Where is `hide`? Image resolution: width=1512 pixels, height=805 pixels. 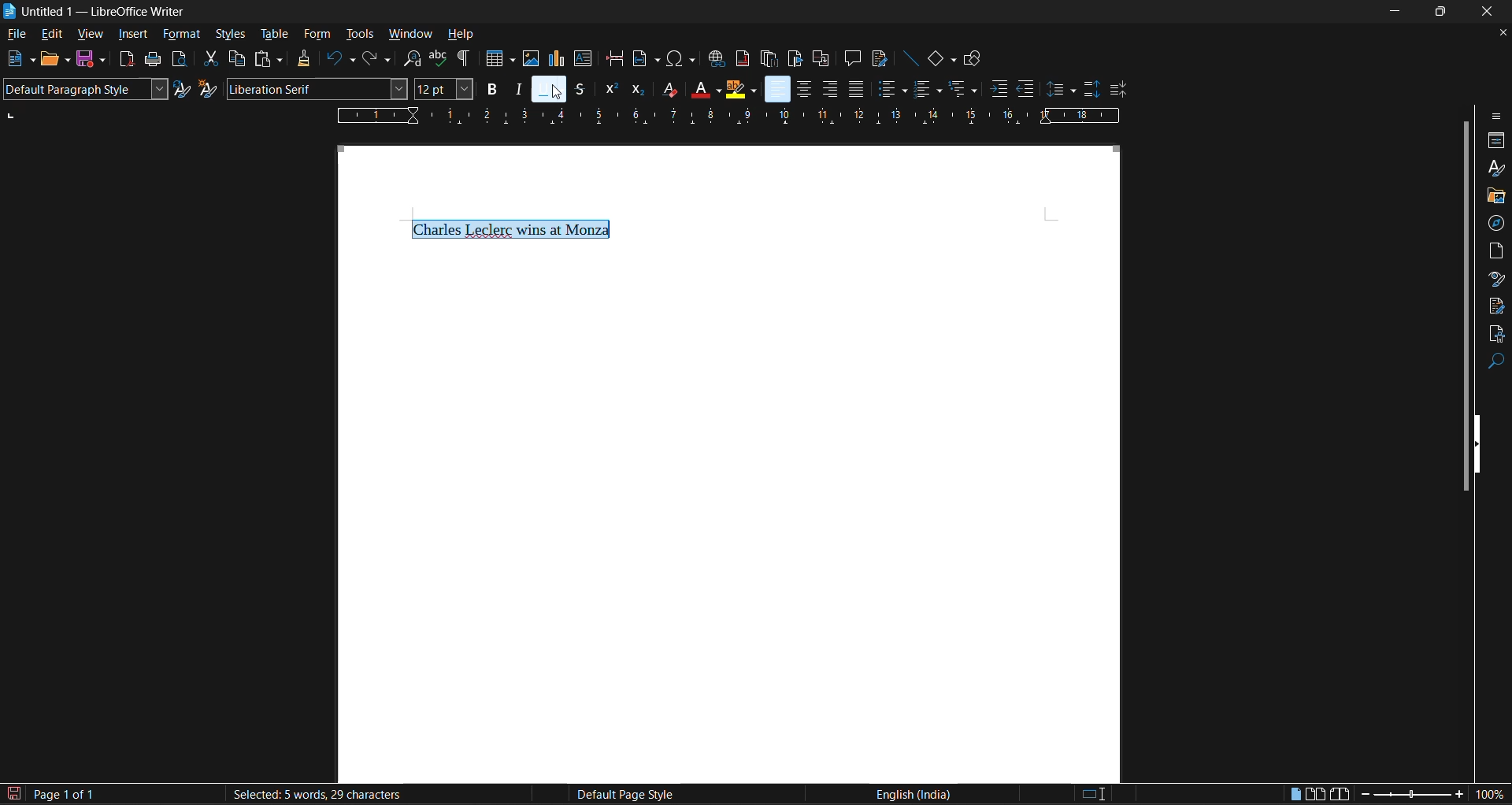 hide is located at coordinates (1481, 443).